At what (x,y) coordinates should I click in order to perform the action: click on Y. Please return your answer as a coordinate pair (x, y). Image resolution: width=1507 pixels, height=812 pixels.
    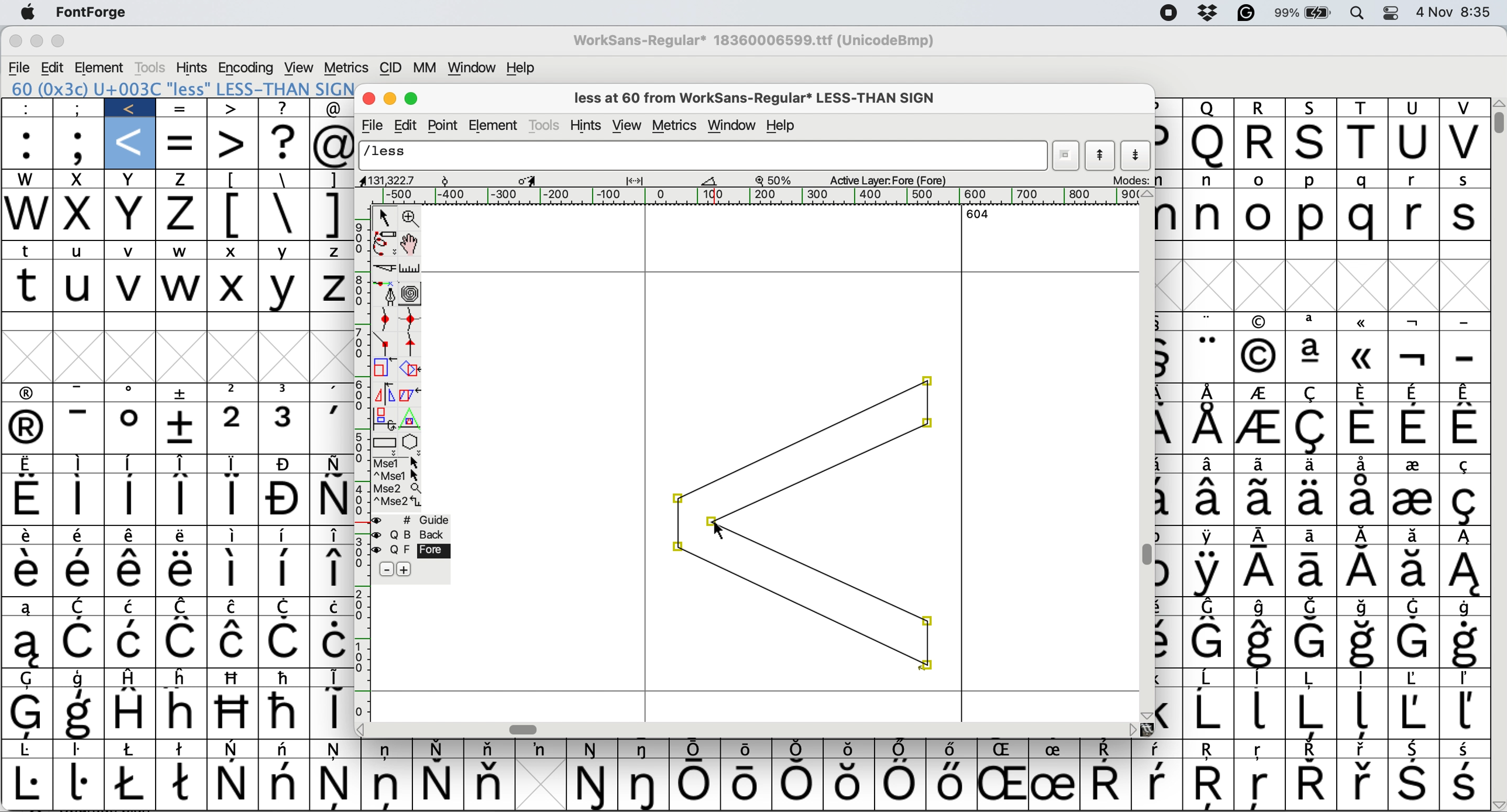
    Looking at the image, I should click on (287, 288).